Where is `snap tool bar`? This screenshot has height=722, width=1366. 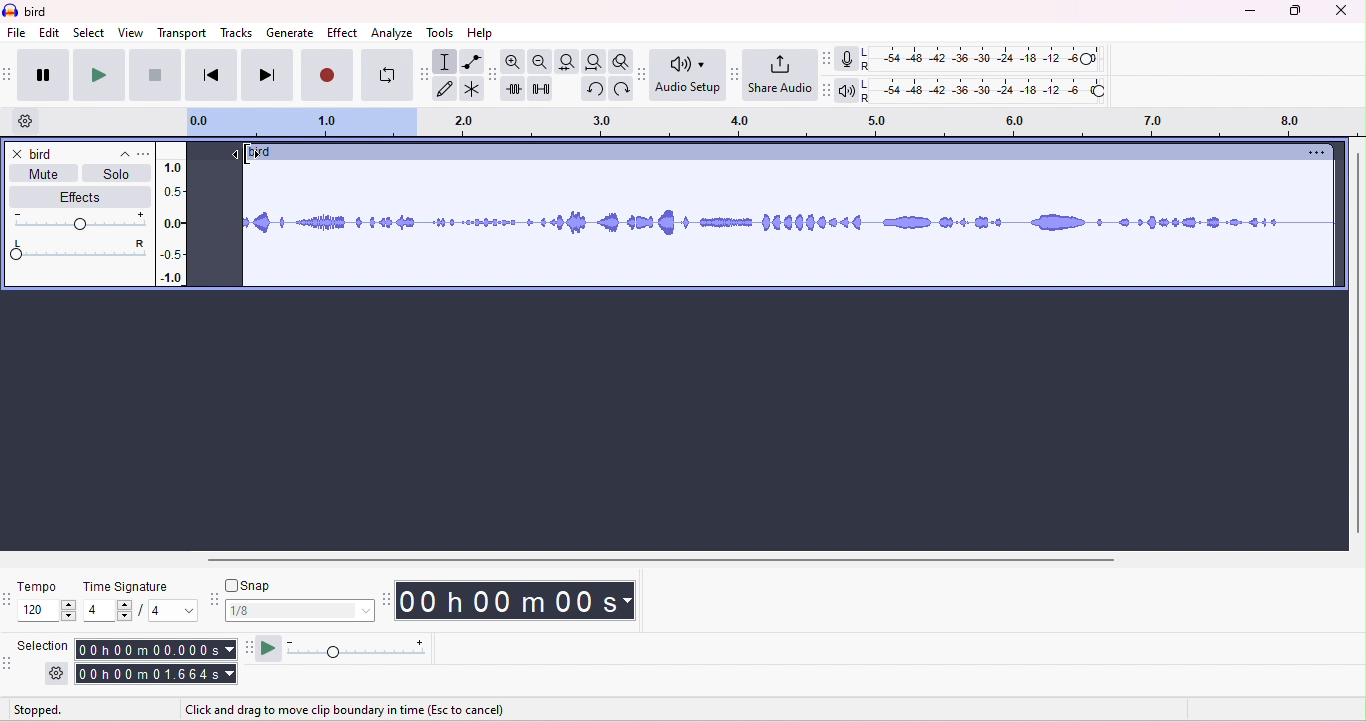
snap tool bar is located at coordinates (213, 597).